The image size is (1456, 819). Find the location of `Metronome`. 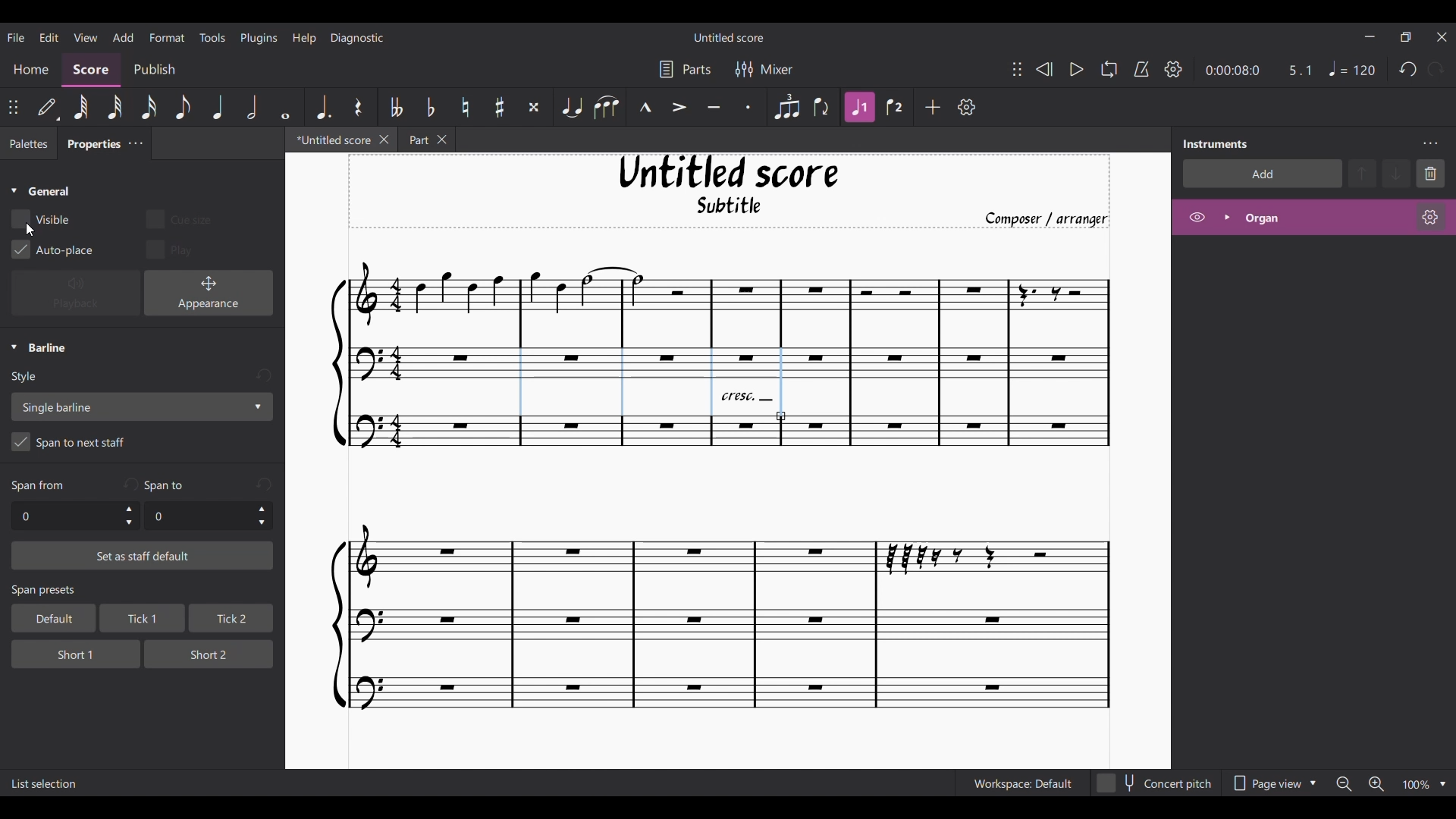

Metronome is located at coordinates (1141, 69).